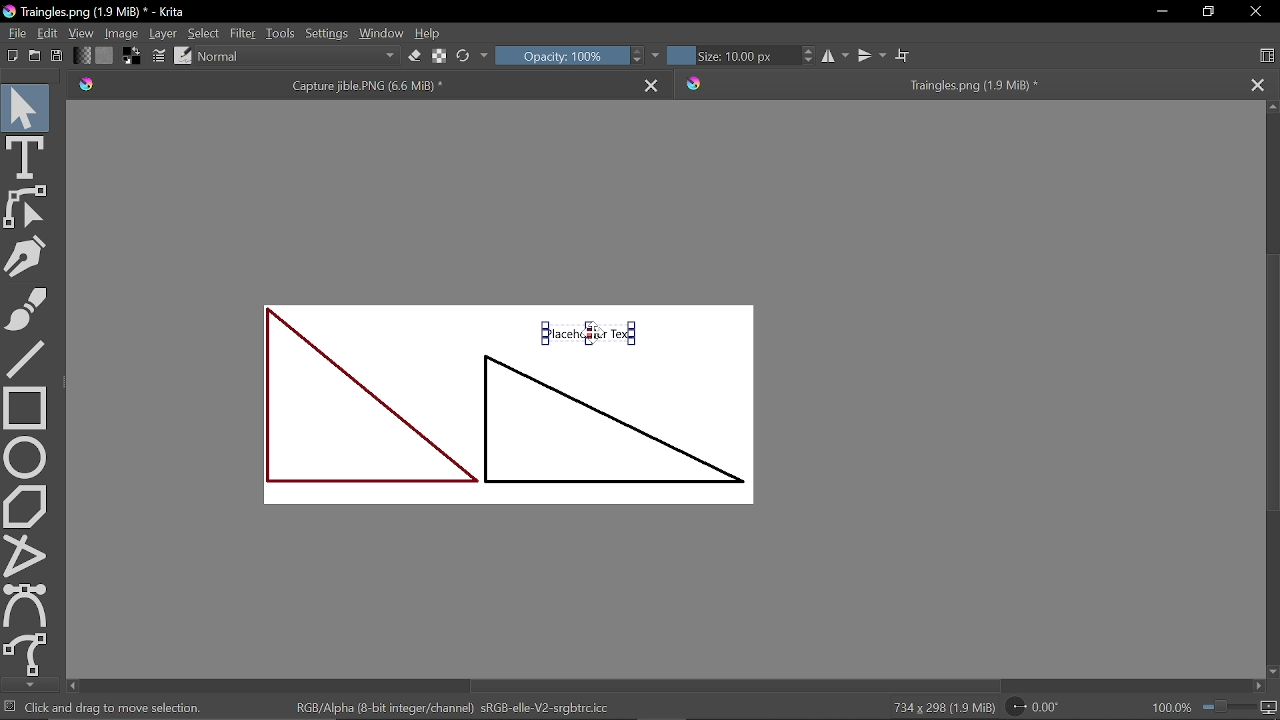 The image size is (1280, 720). I want to click on Edit brush settings, so click(158, 56).